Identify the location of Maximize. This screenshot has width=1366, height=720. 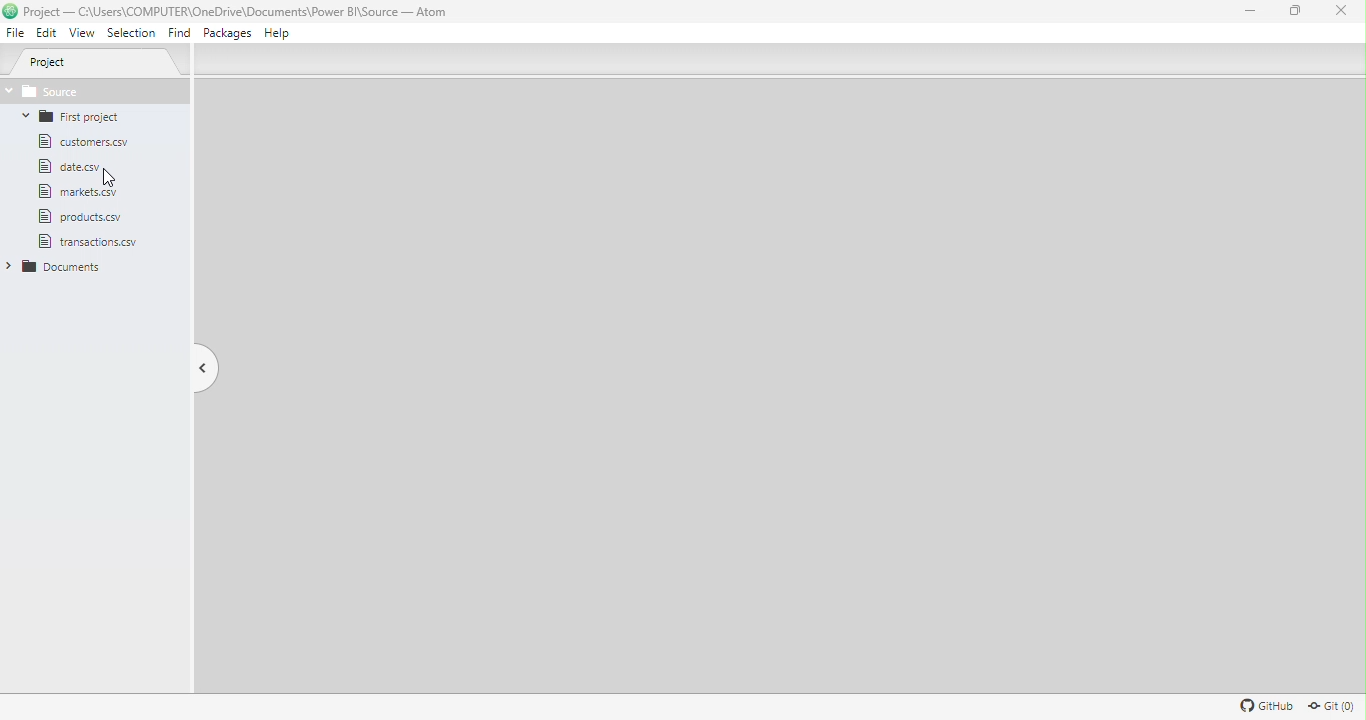
(1291, 11).